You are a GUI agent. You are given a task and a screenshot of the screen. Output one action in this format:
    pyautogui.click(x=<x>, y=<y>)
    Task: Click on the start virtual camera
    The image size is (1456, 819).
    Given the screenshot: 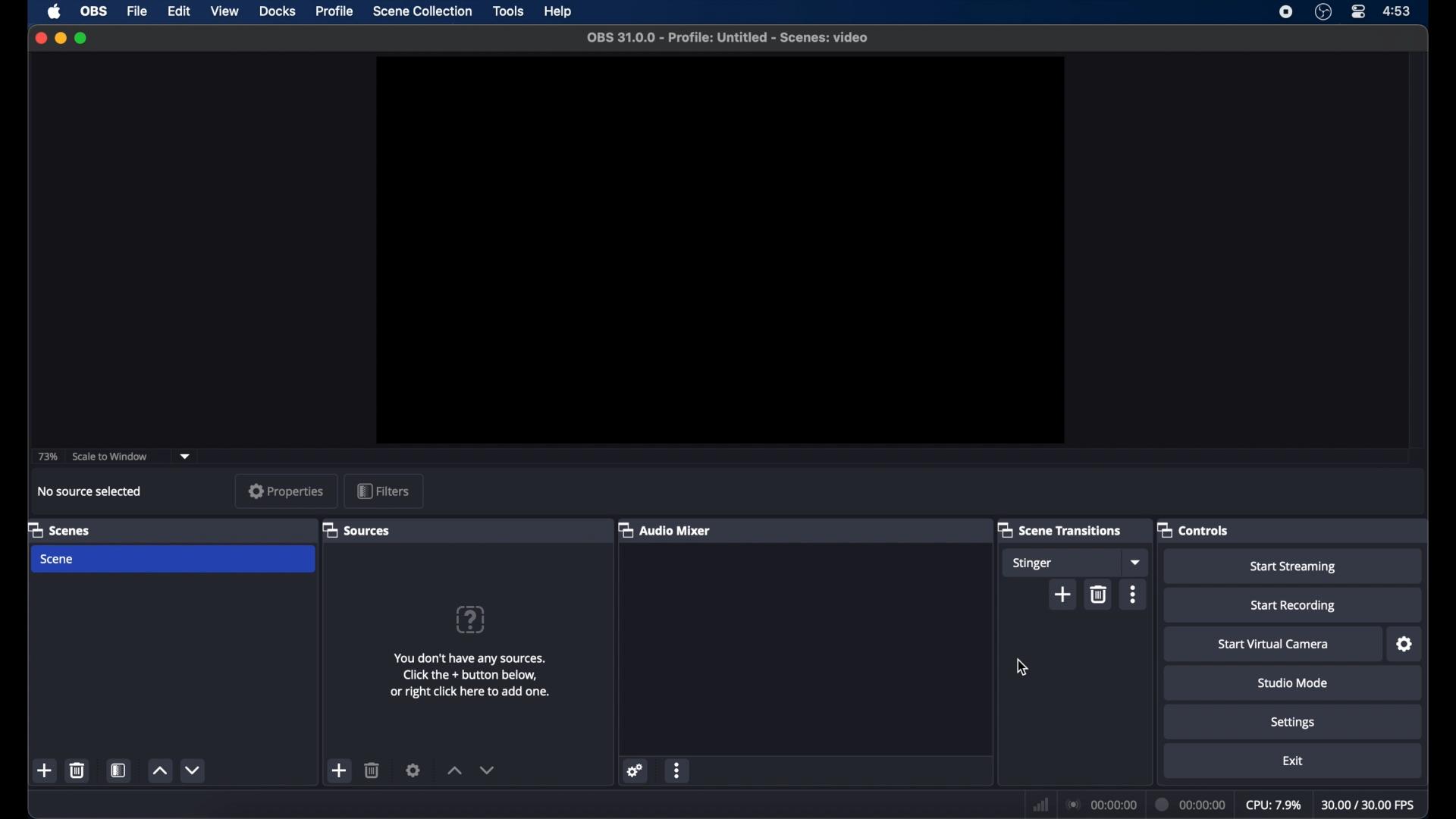 What is the action you would take?
    pyautogui.click(x=1272, y=645)
    